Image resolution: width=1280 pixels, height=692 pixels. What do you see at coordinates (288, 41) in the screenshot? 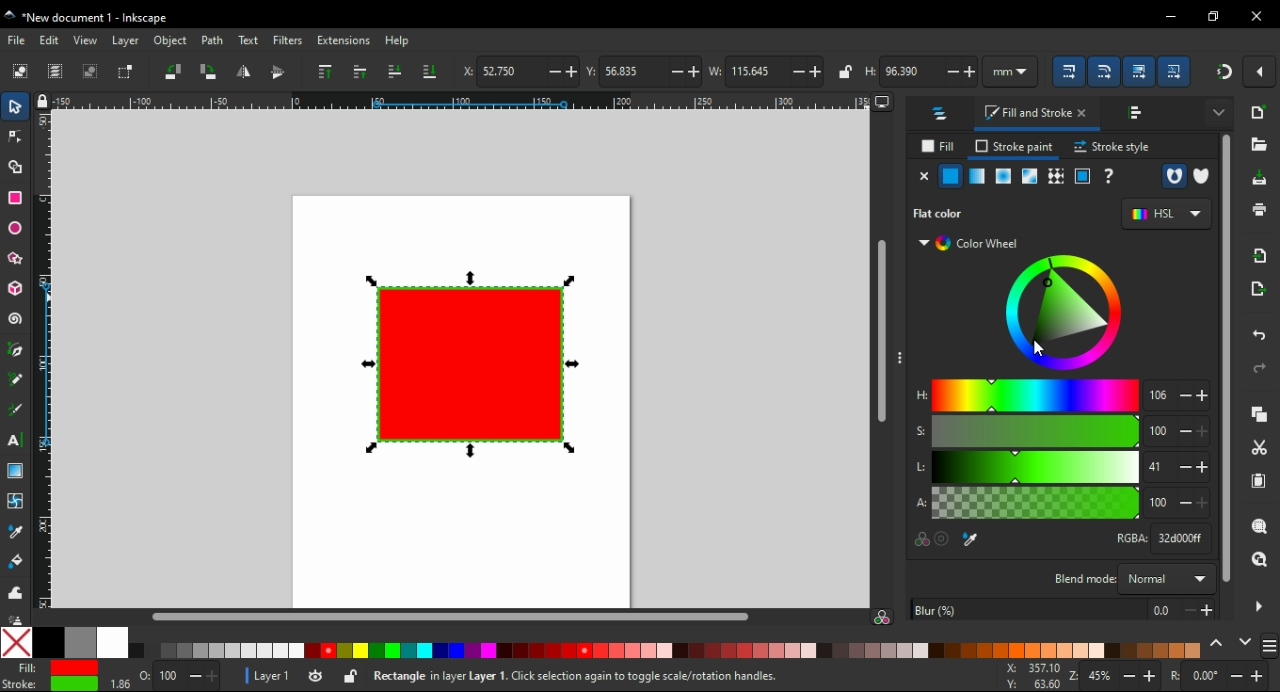
I see `filters` at bounding box center [288, 41].